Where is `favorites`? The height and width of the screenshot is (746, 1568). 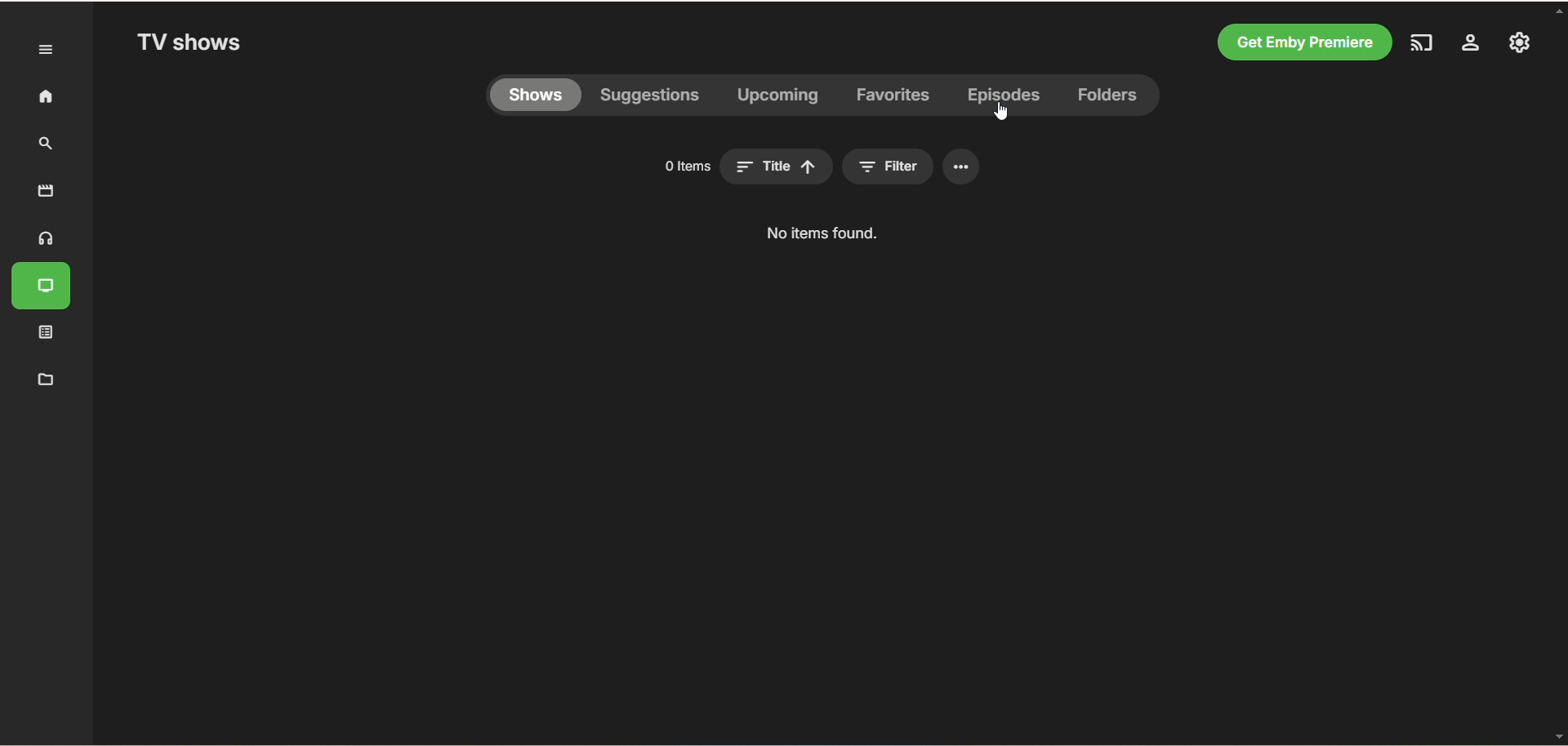
favorites is located at coordinates (896, 95).